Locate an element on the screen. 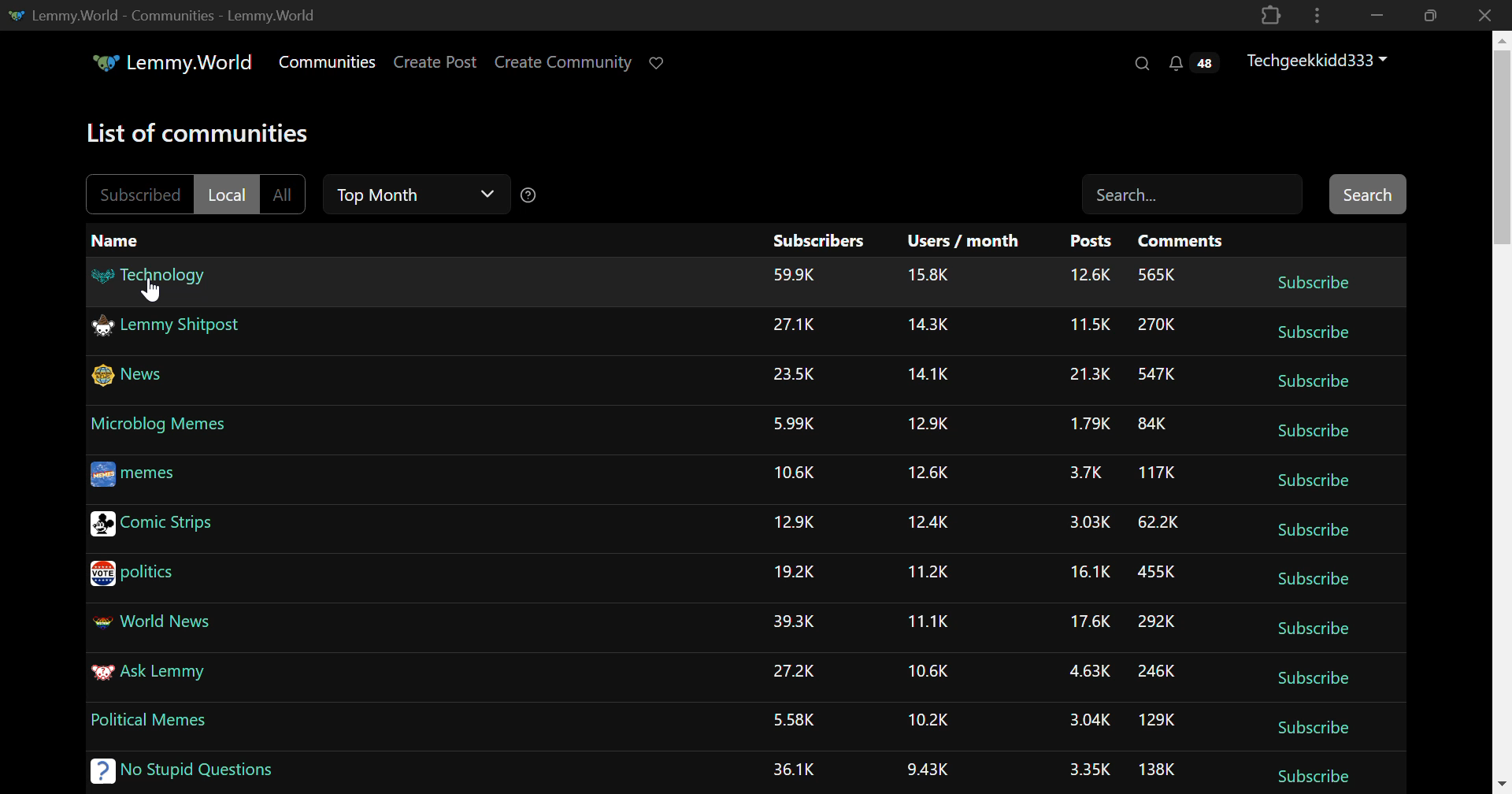 This screenshot has height=794, width=1512. 3.03K is located at coordinates (1085, 521).